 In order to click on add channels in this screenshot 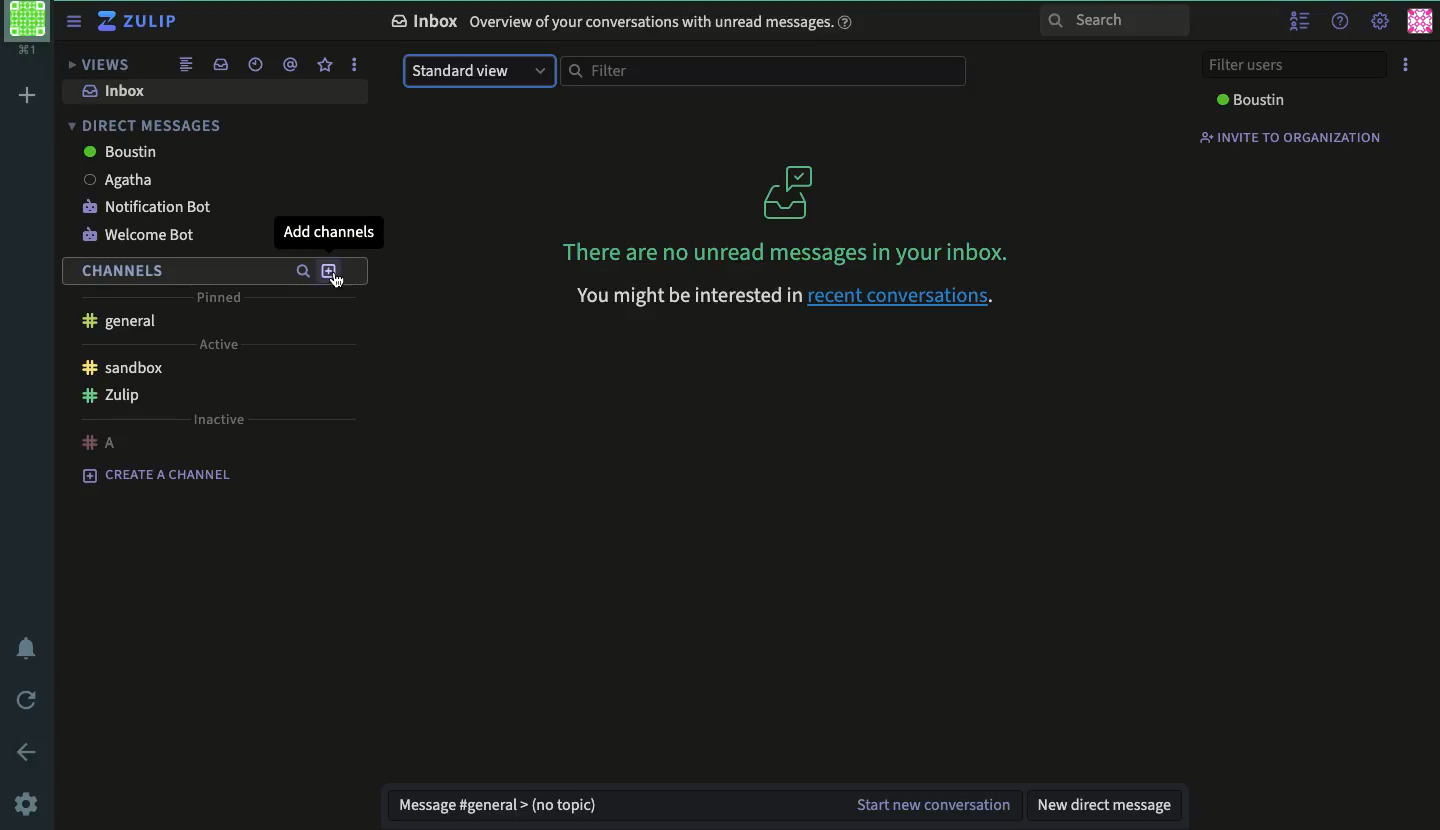, I will do `click(326, 234)`.